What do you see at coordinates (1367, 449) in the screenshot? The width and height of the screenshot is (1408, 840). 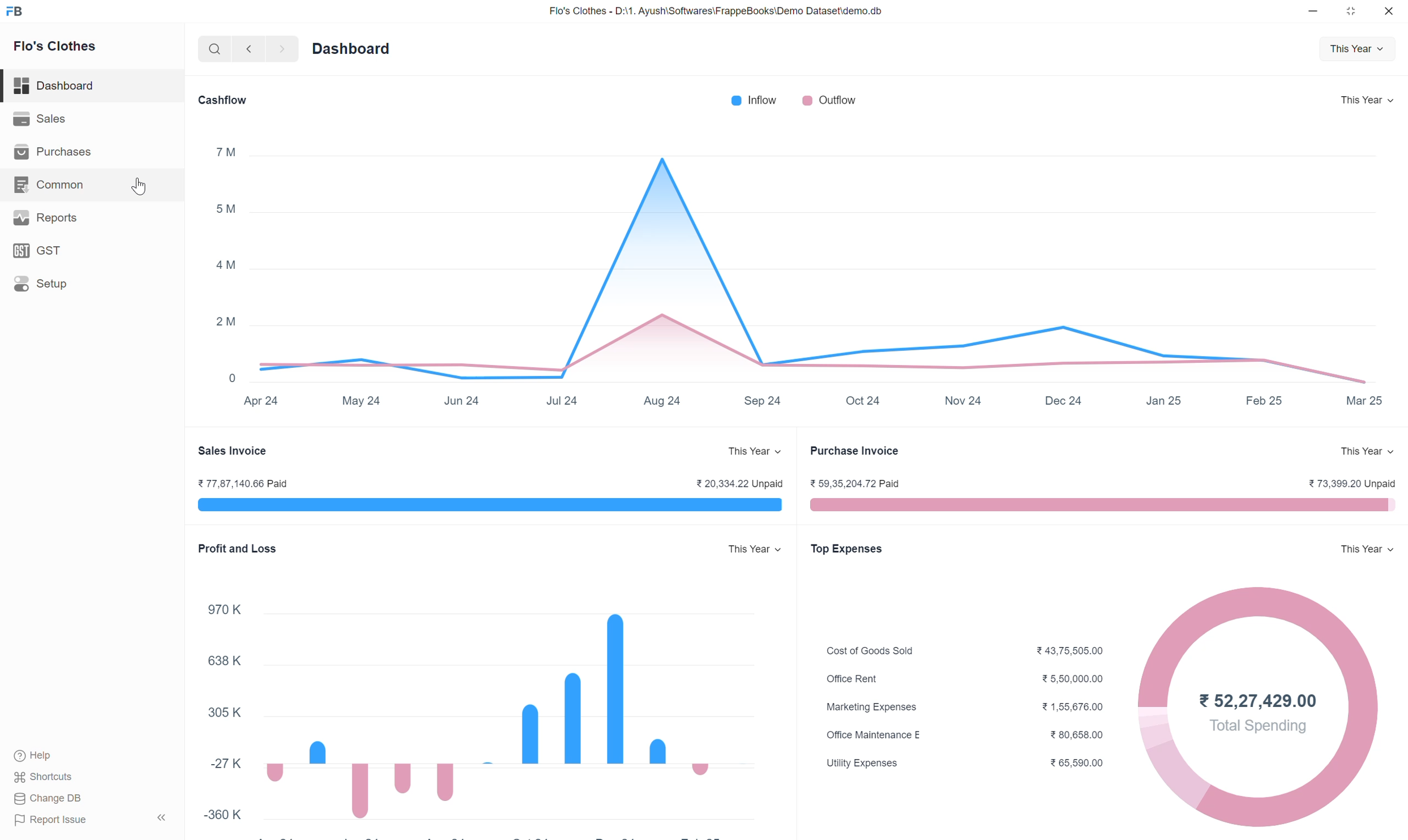 I see `this year` at bounding box center [1367, 449].